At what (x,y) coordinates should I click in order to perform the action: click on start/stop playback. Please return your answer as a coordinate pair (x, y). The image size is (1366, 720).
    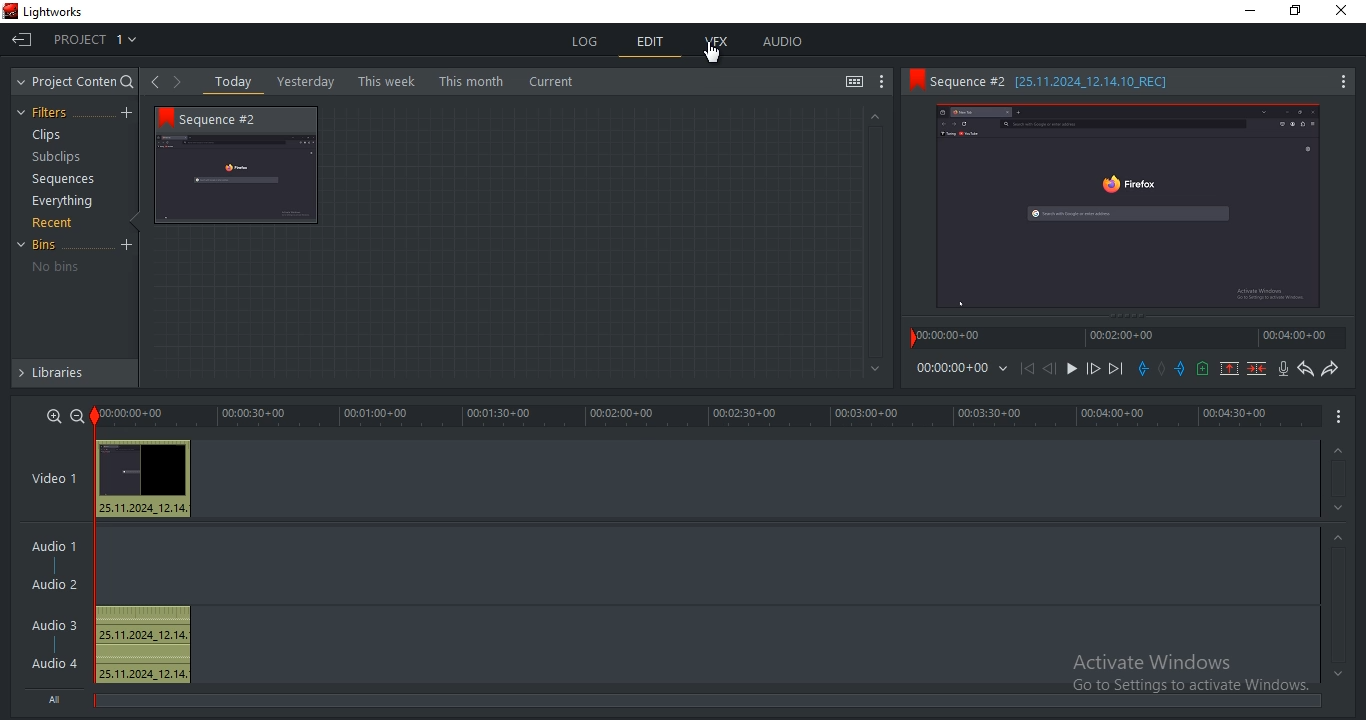
    Looking at the image, I should click on (1071, 369).